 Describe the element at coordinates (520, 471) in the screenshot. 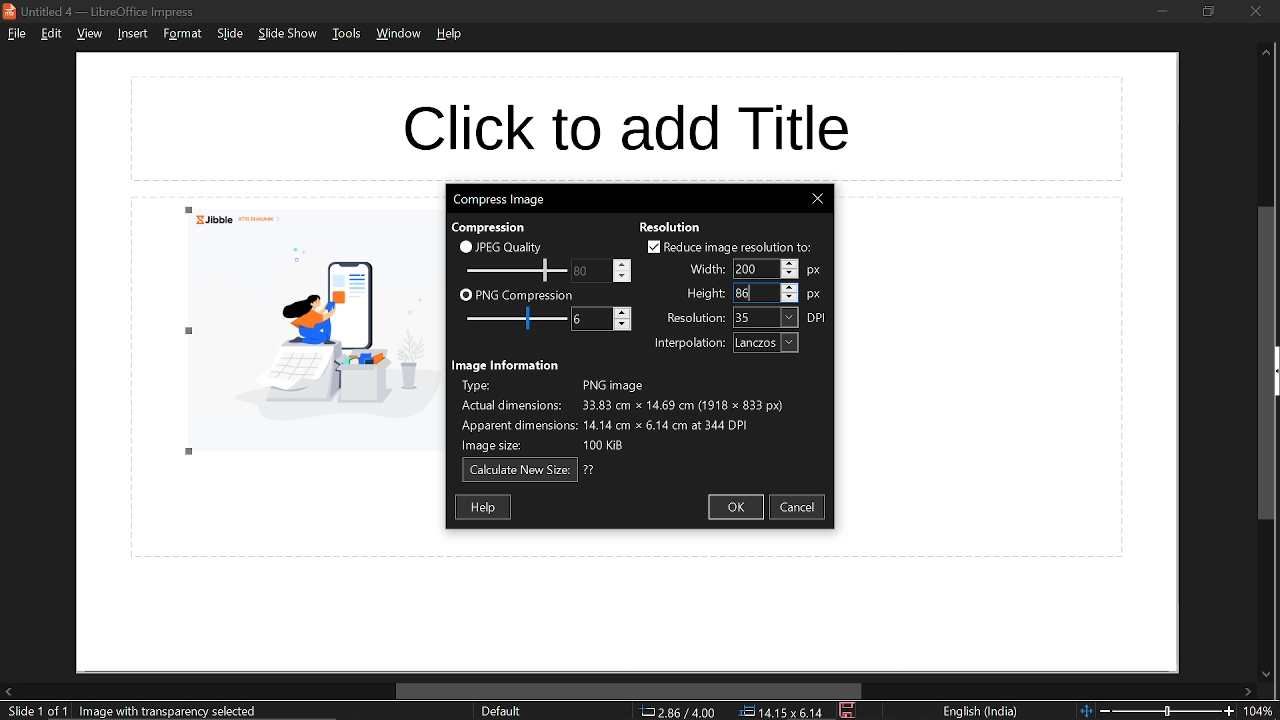

I see `calculate new size` at that location.